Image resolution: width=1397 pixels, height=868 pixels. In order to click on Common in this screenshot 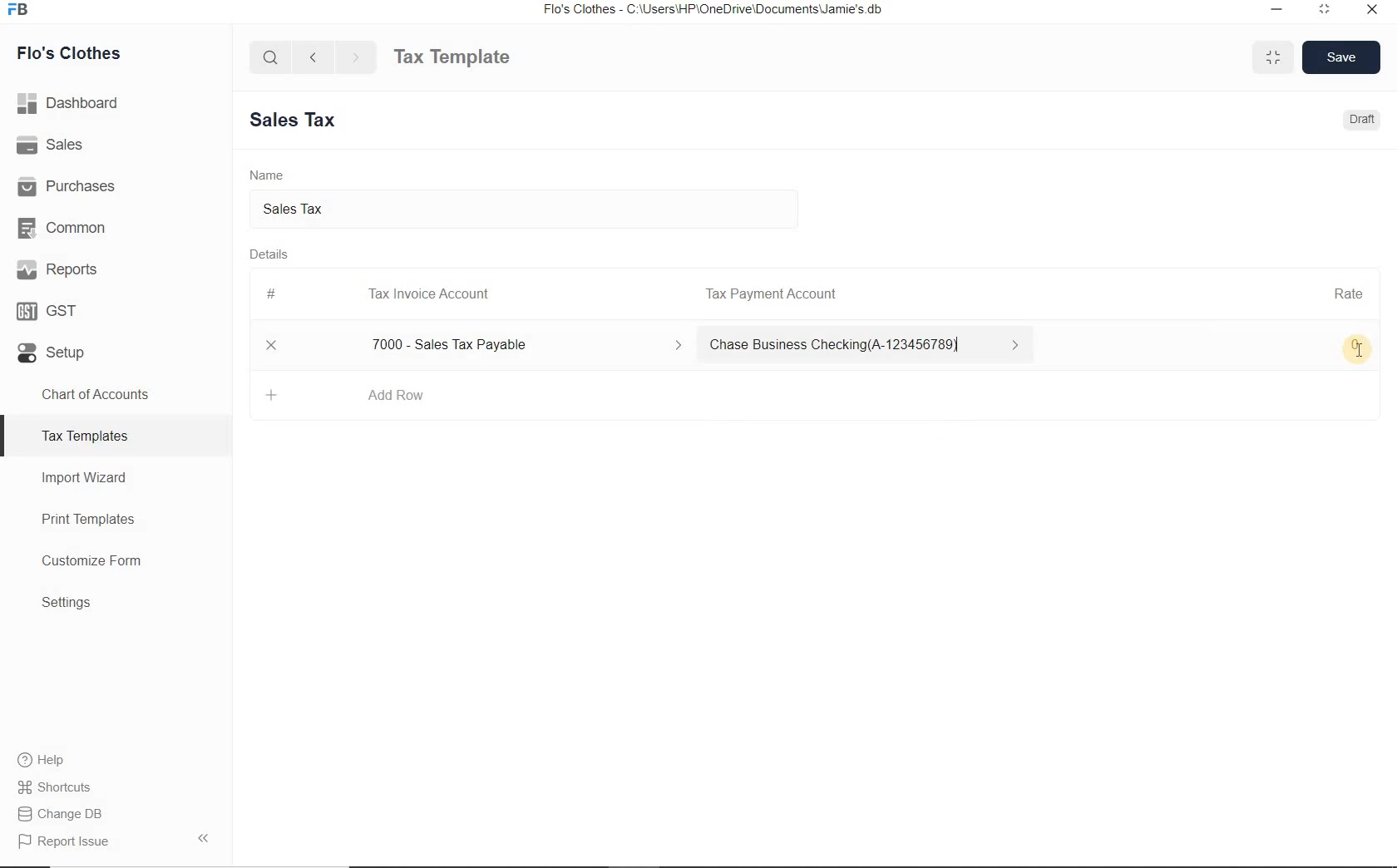, I will do `click(116, 225)`.